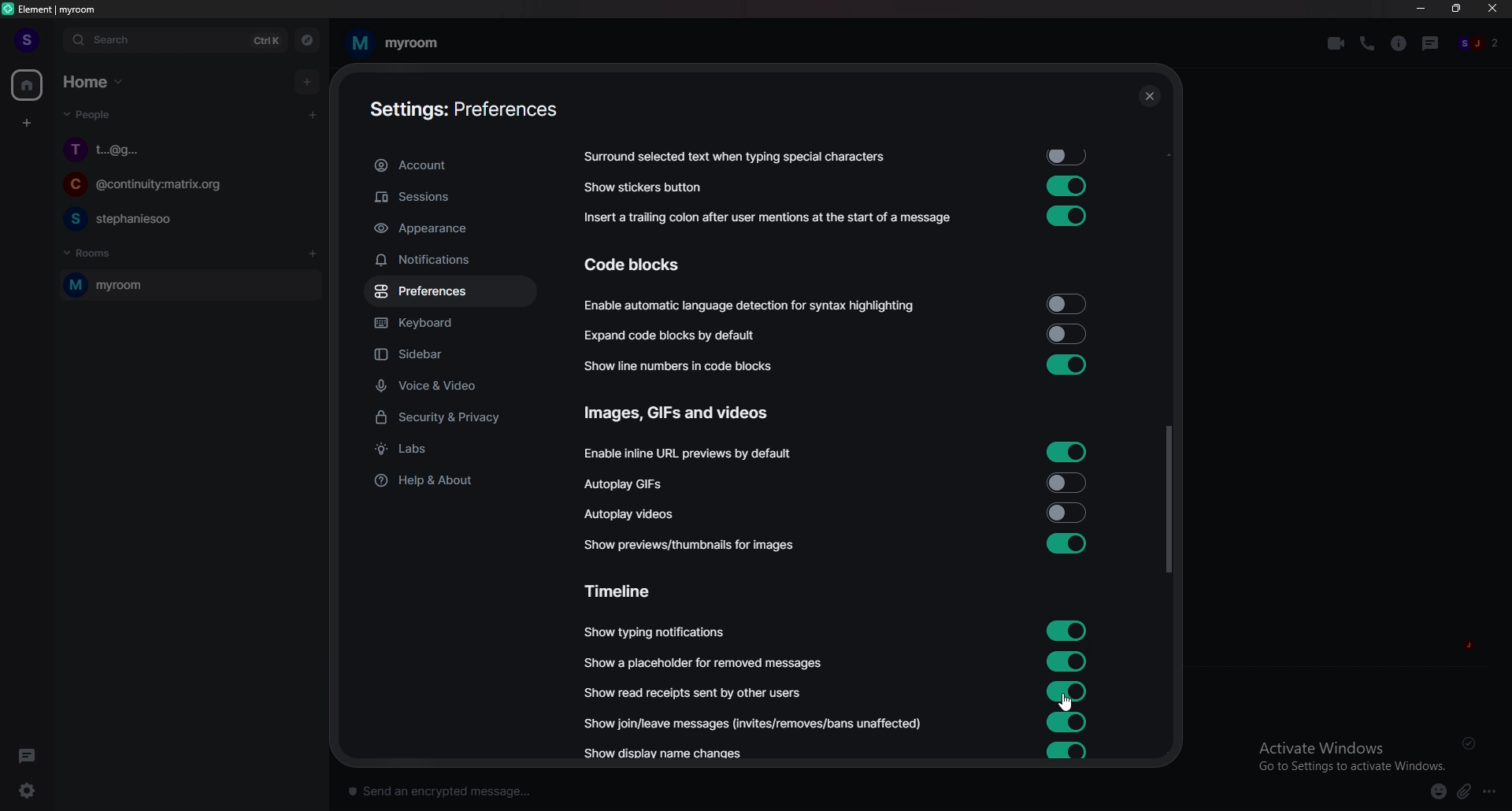 This screenshot has width=1512, height=811. What do you see at coordinates (91, 251) in the screenshot?
I see `Rooms` at bounding box center [91, 251].